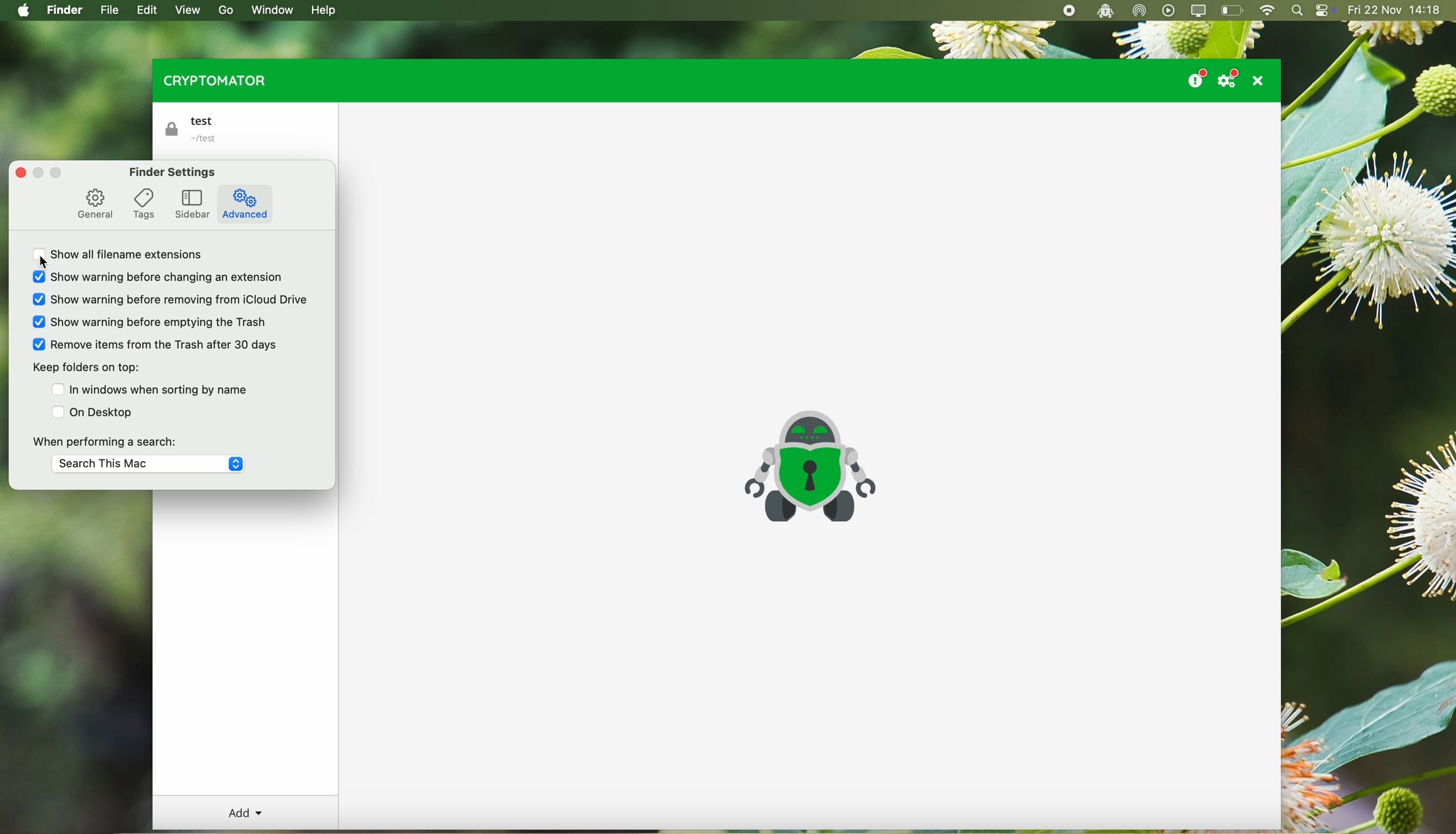  I want to click on battery, so click(1233, 11).